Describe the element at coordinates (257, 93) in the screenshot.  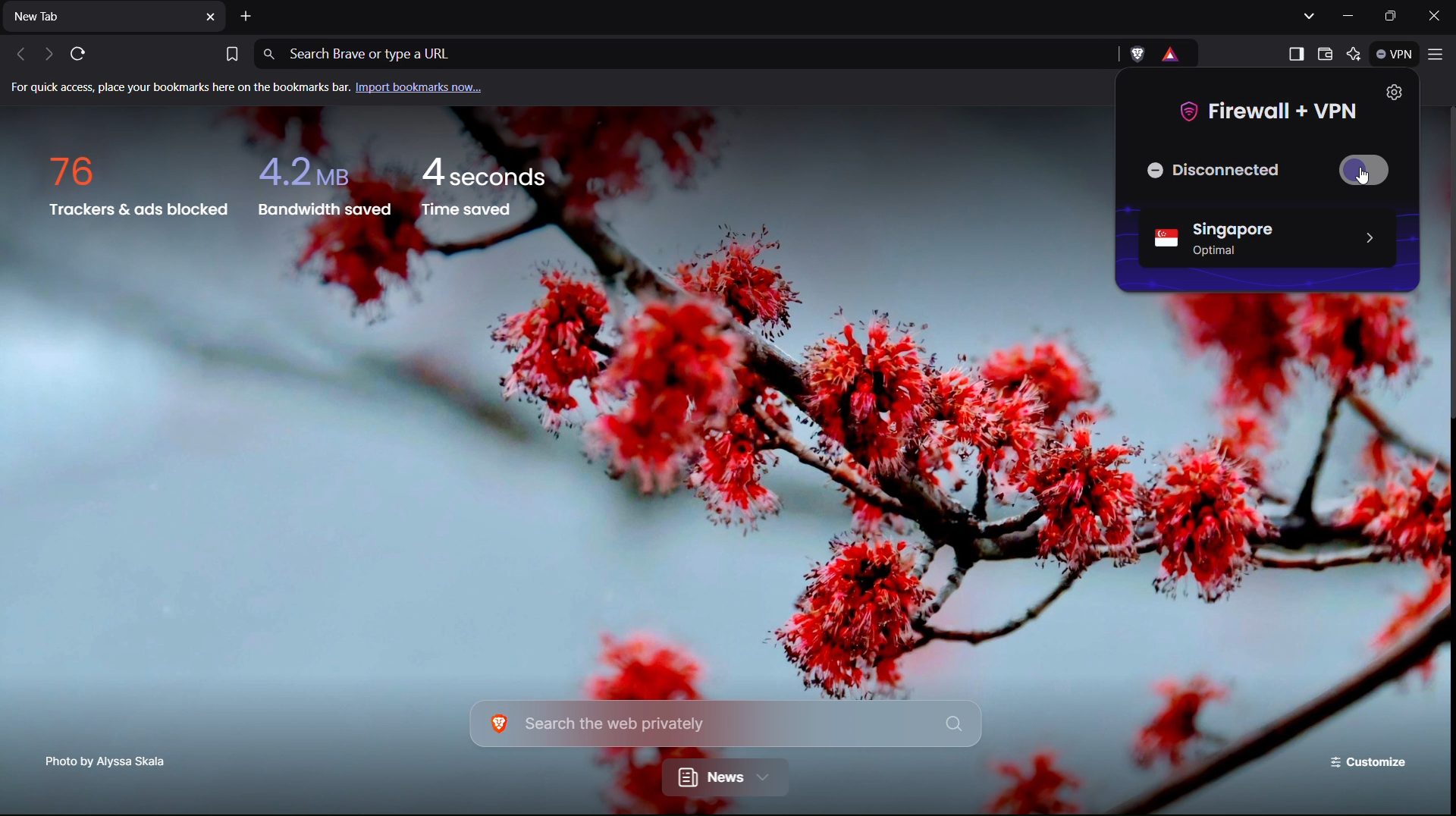
I see `Import bookmarks` at that location.